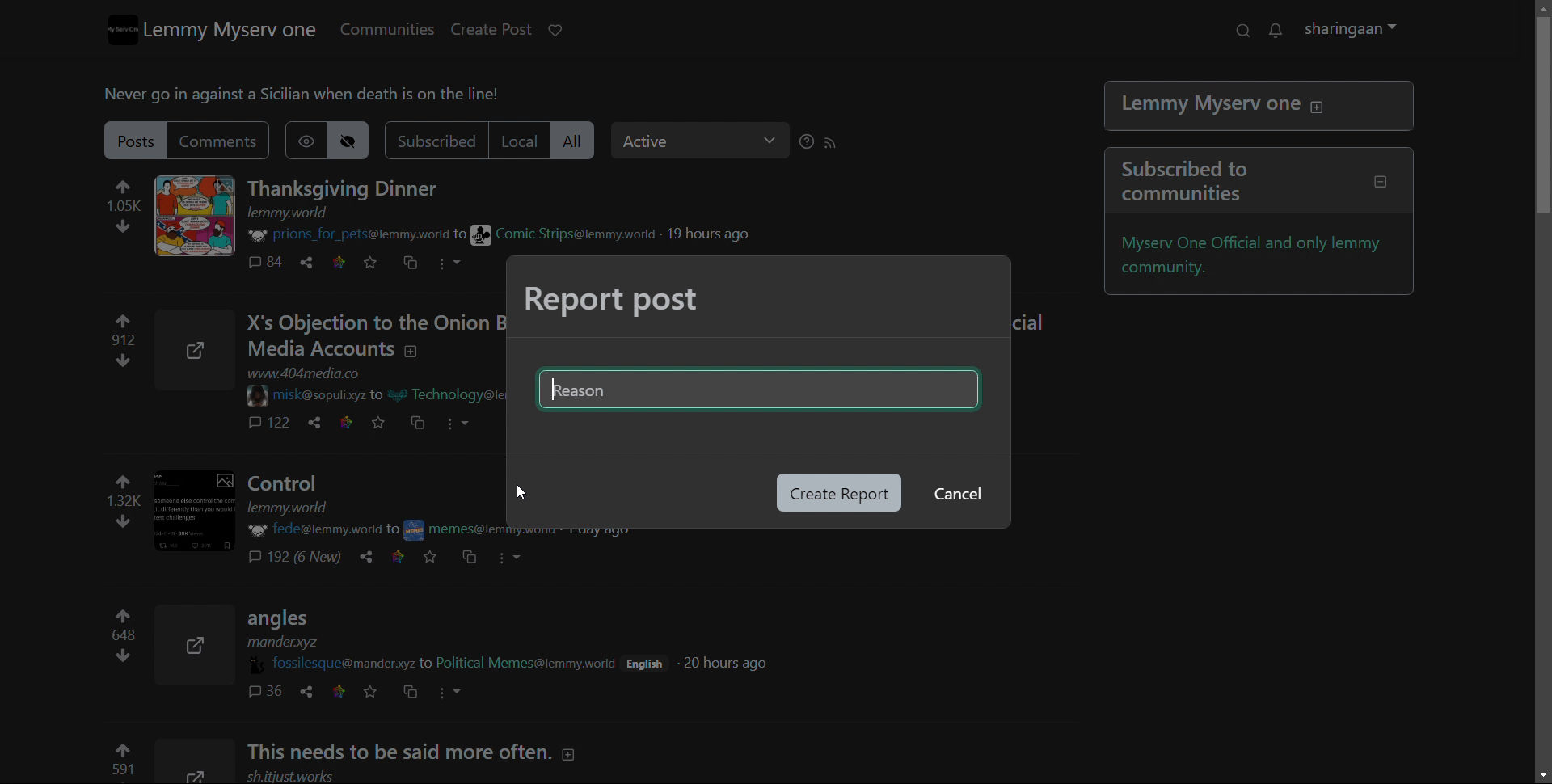 The height and width of the screenshot is (784, 1552). Describe the element at coordinates (709, 141) in the screenshot. I see `Active(select relevance)` at that location.